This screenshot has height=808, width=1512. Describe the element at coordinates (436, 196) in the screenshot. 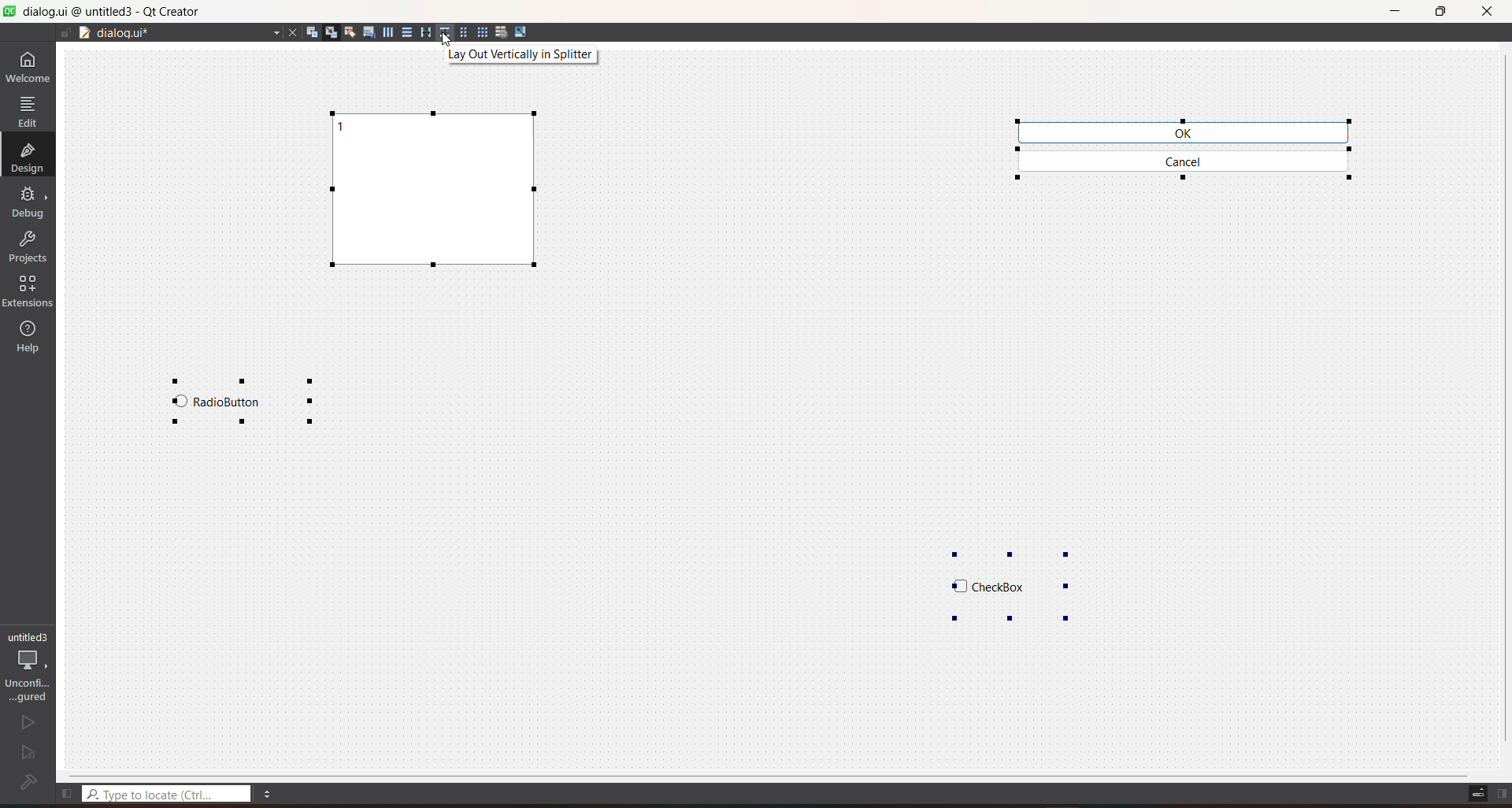

I see `selected widget` at that location.